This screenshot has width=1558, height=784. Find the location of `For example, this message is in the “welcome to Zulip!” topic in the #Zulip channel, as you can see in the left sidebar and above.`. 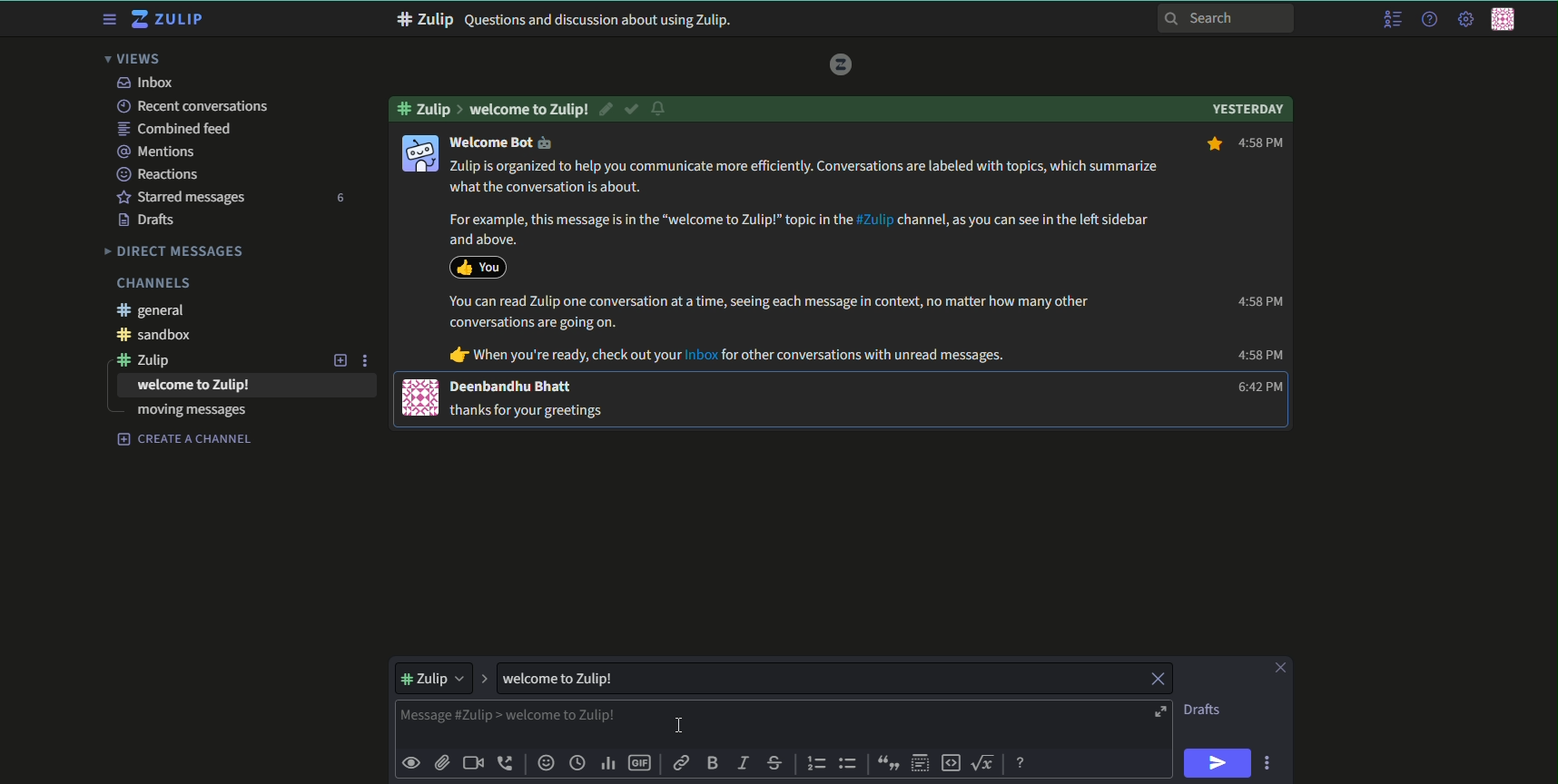

For example, this message is in the “welcome to Zulip!” topic in the #Zulip channel, as you can see in the left sidebar and above. is located at coordinates (794, 229).